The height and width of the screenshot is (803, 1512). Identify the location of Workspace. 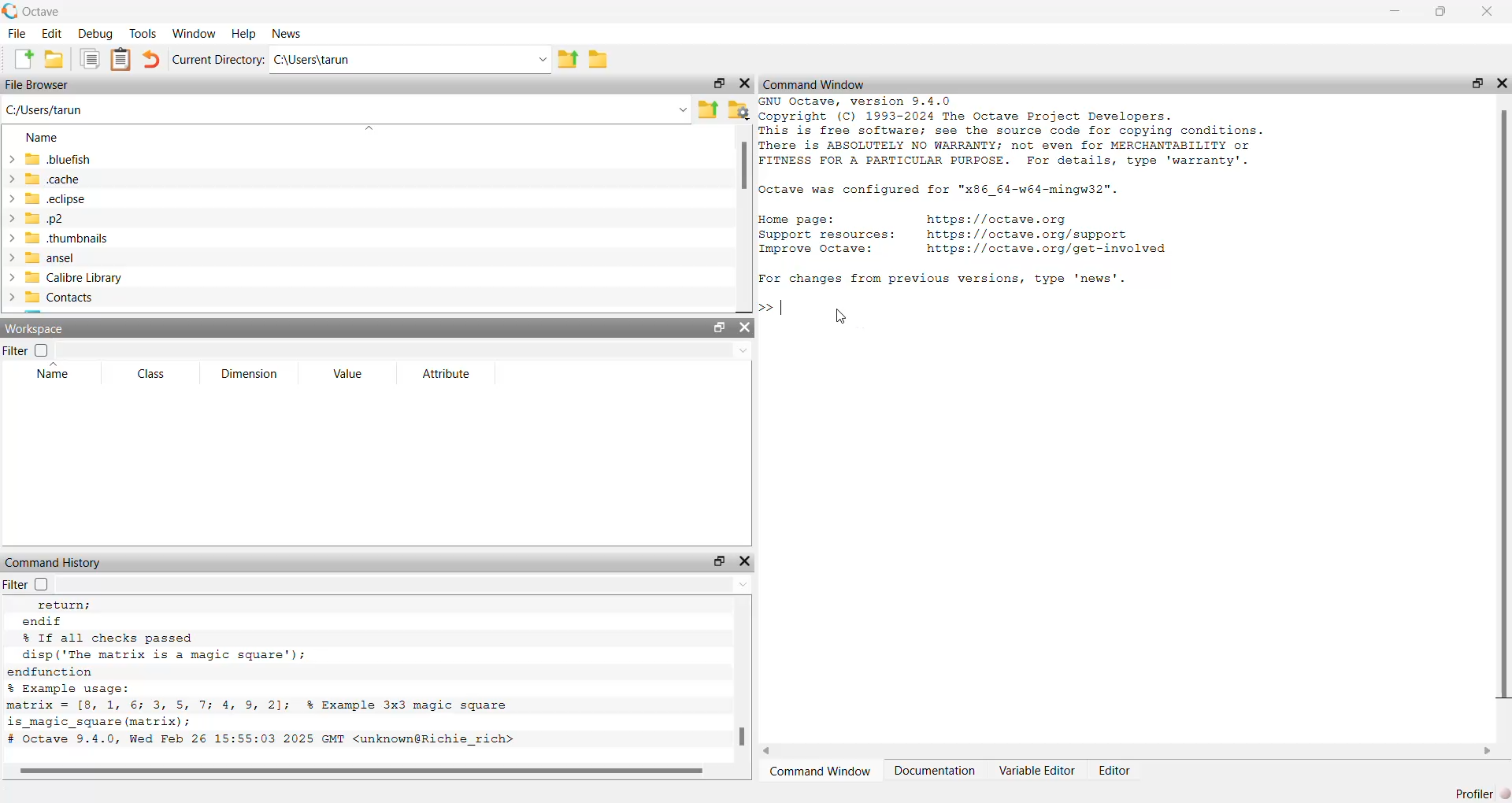
(35, 328).